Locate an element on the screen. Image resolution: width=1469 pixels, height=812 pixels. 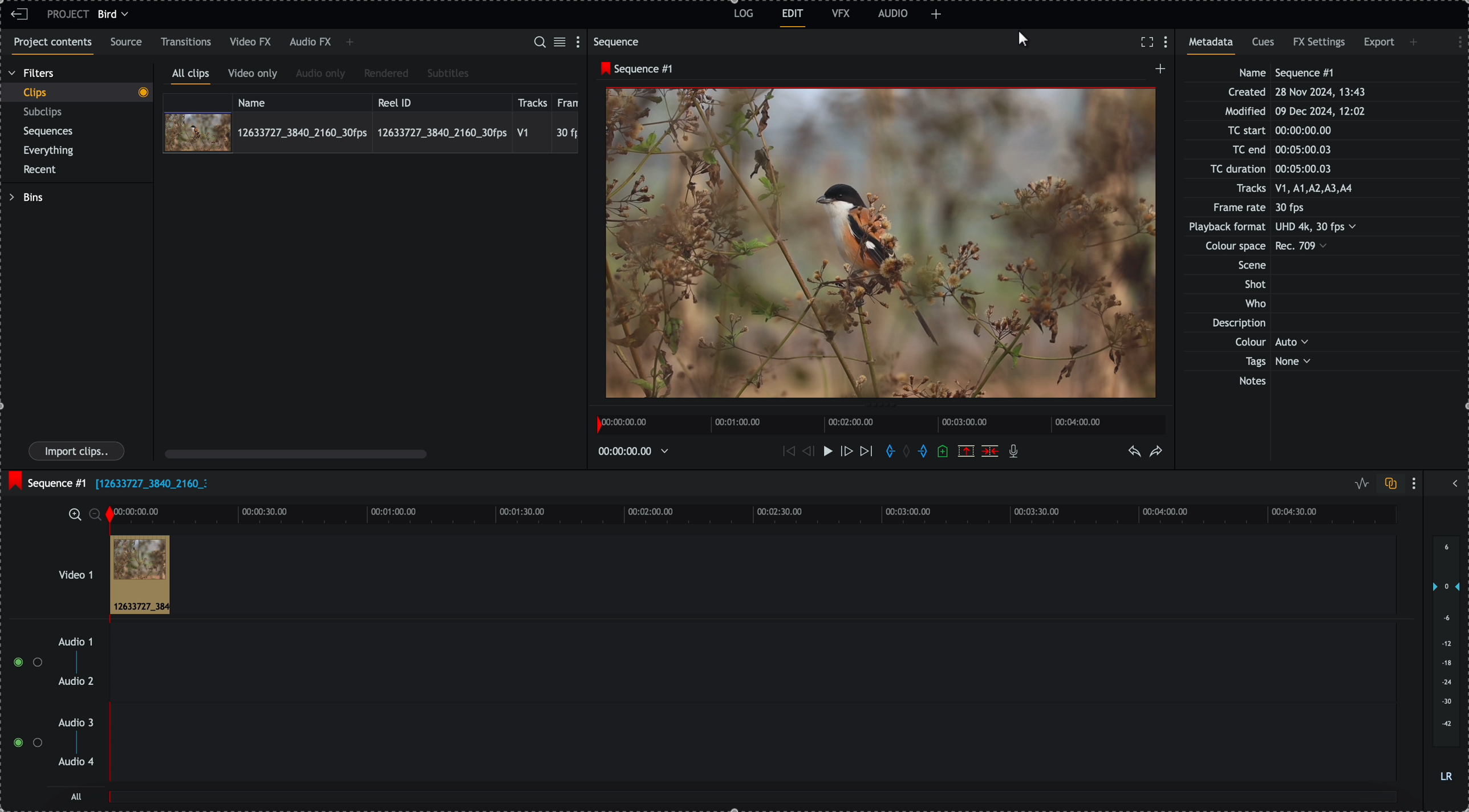
add panel is located at coordinates (1415, 42).